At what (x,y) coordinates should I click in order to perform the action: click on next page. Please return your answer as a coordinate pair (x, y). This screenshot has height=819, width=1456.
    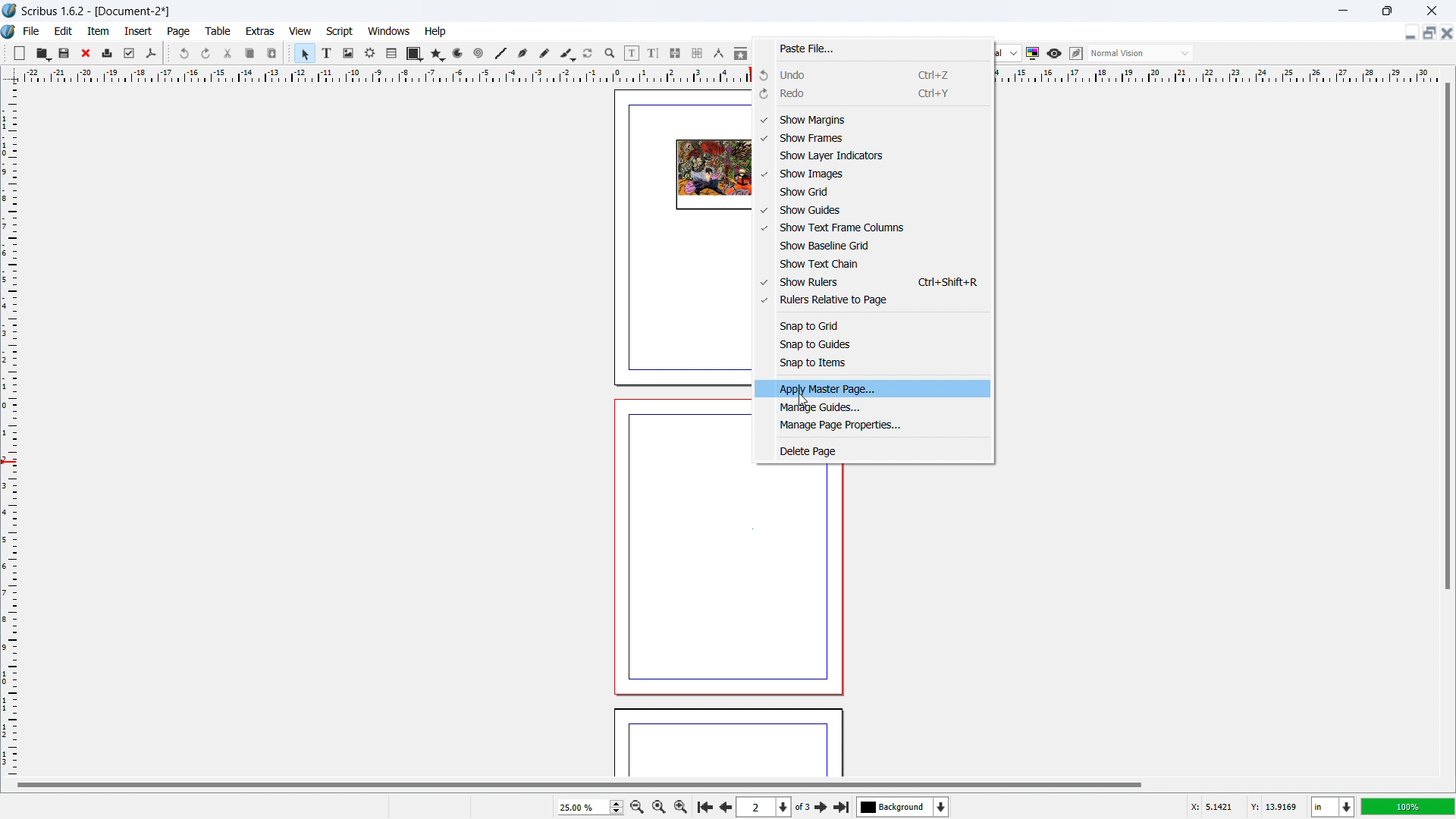
    Looking at the image, I should click on (822, 806).